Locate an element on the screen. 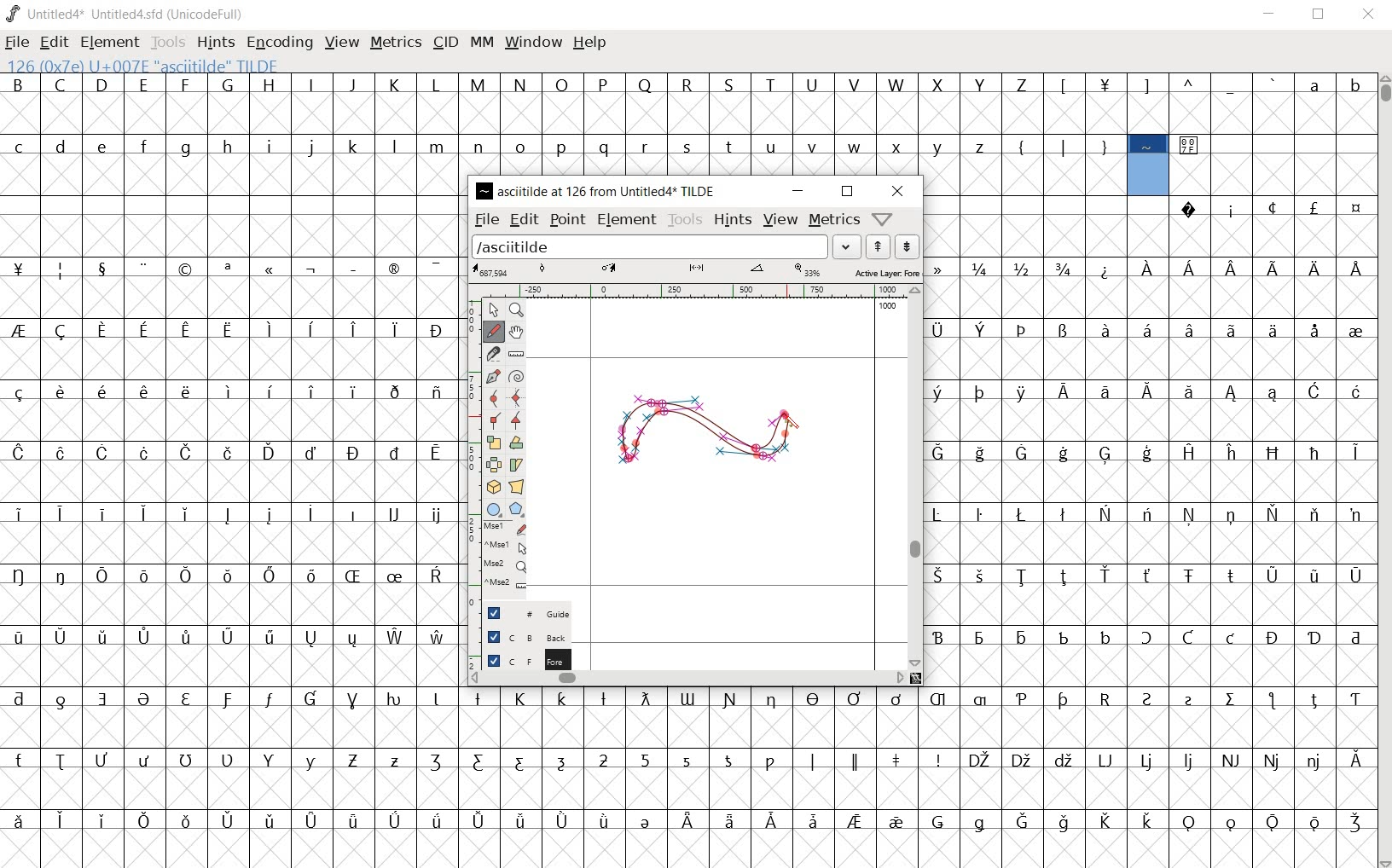 Image resolution: width=1392 pixels, height=868 pixels. Add a corner point is located at coordinates (494, 419).